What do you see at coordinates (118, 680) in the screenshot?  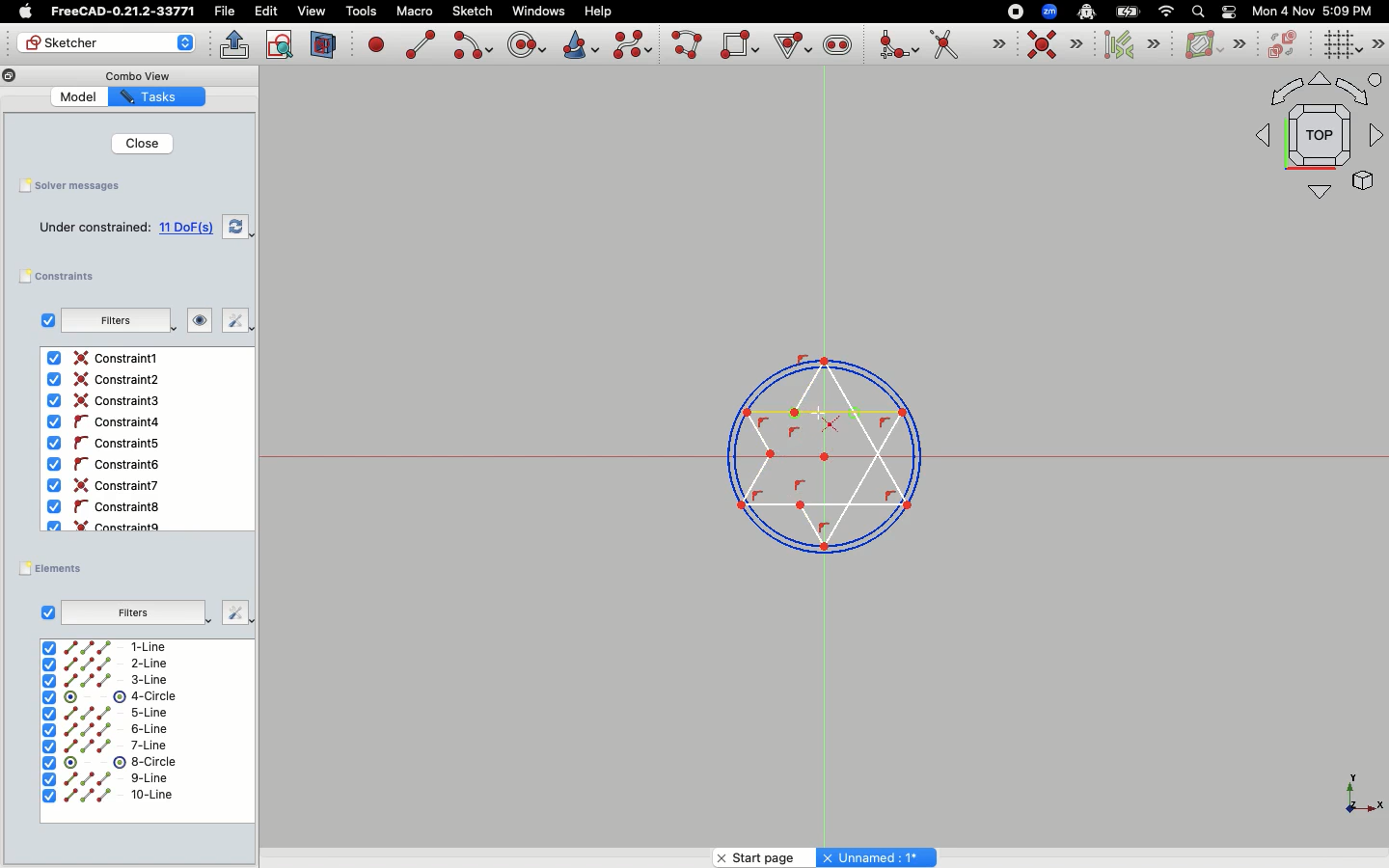 I see `3-Line` at bounding box center [118, 680].